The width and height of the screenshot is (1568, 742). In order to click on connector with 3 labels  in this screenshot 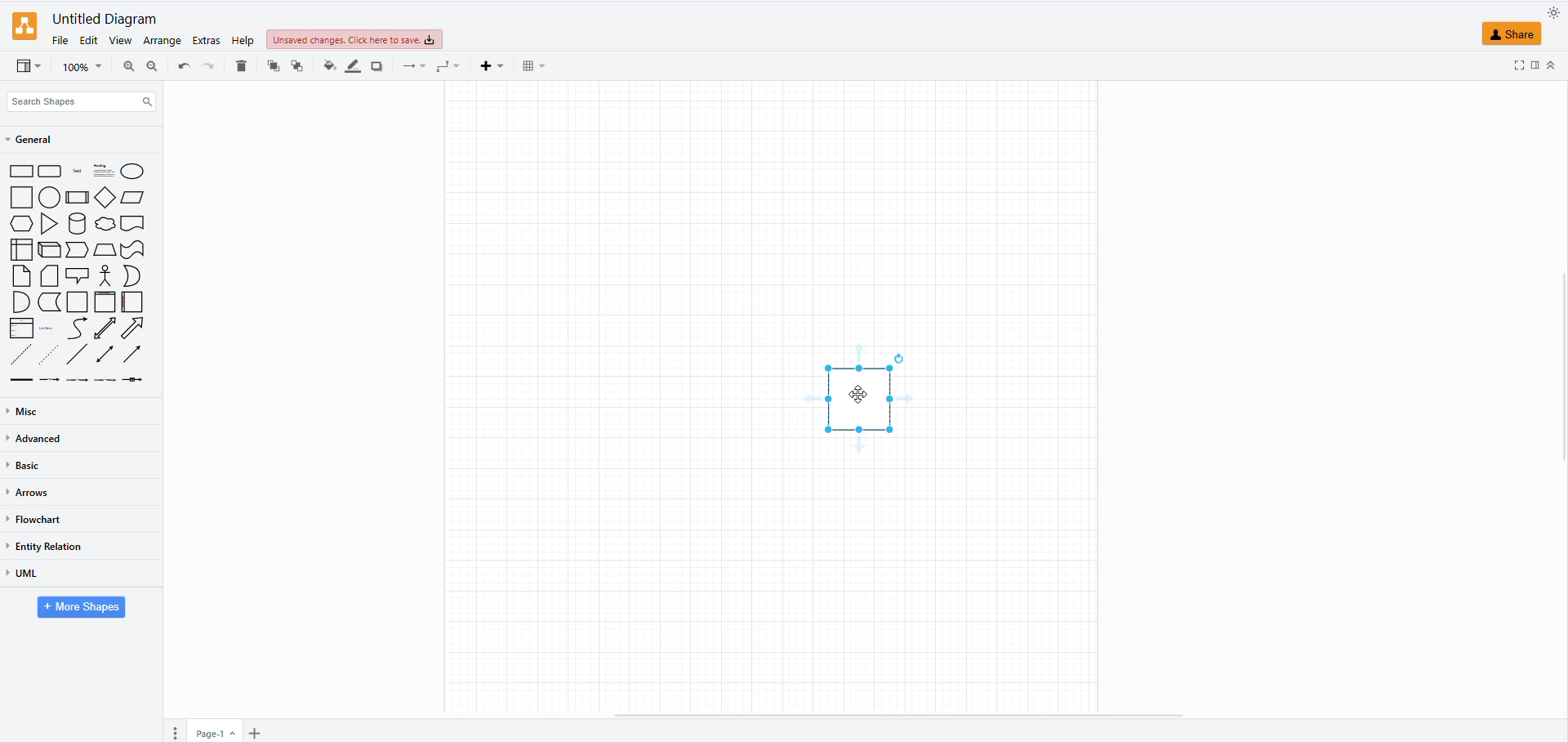, I will do `click(105, 380)`.